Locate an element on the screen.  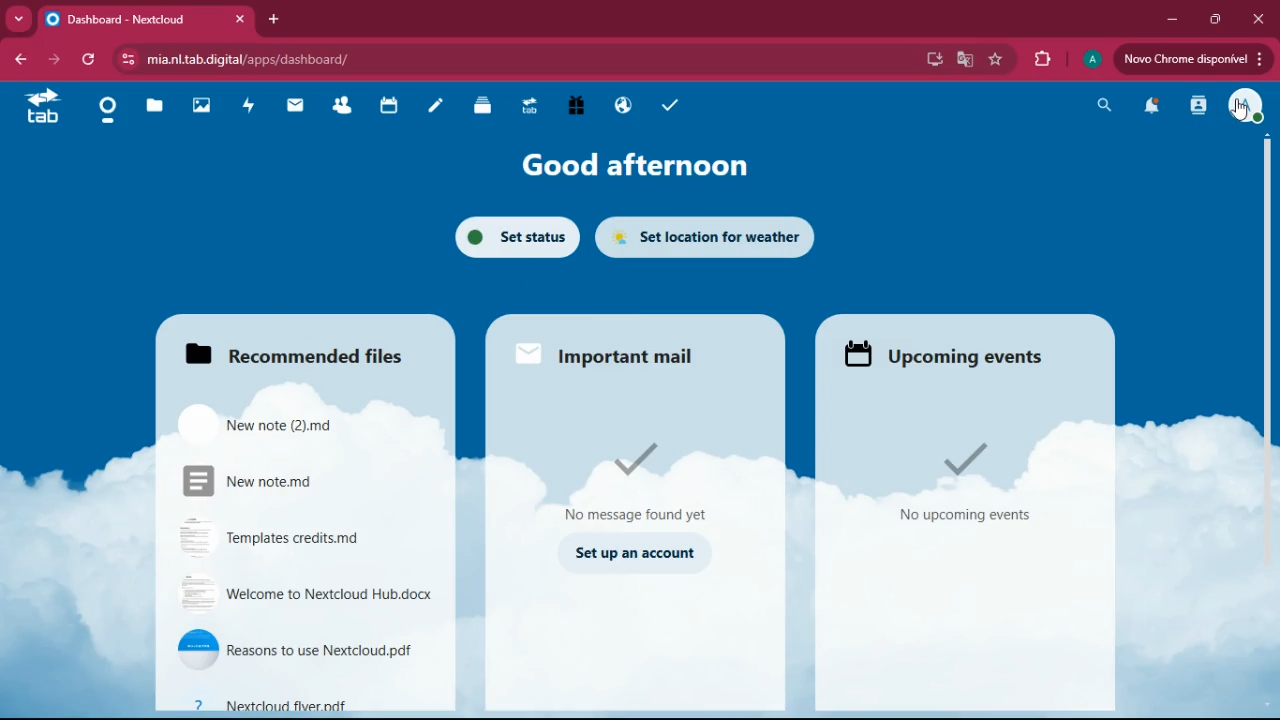
file is located at coordinates (278, 481).